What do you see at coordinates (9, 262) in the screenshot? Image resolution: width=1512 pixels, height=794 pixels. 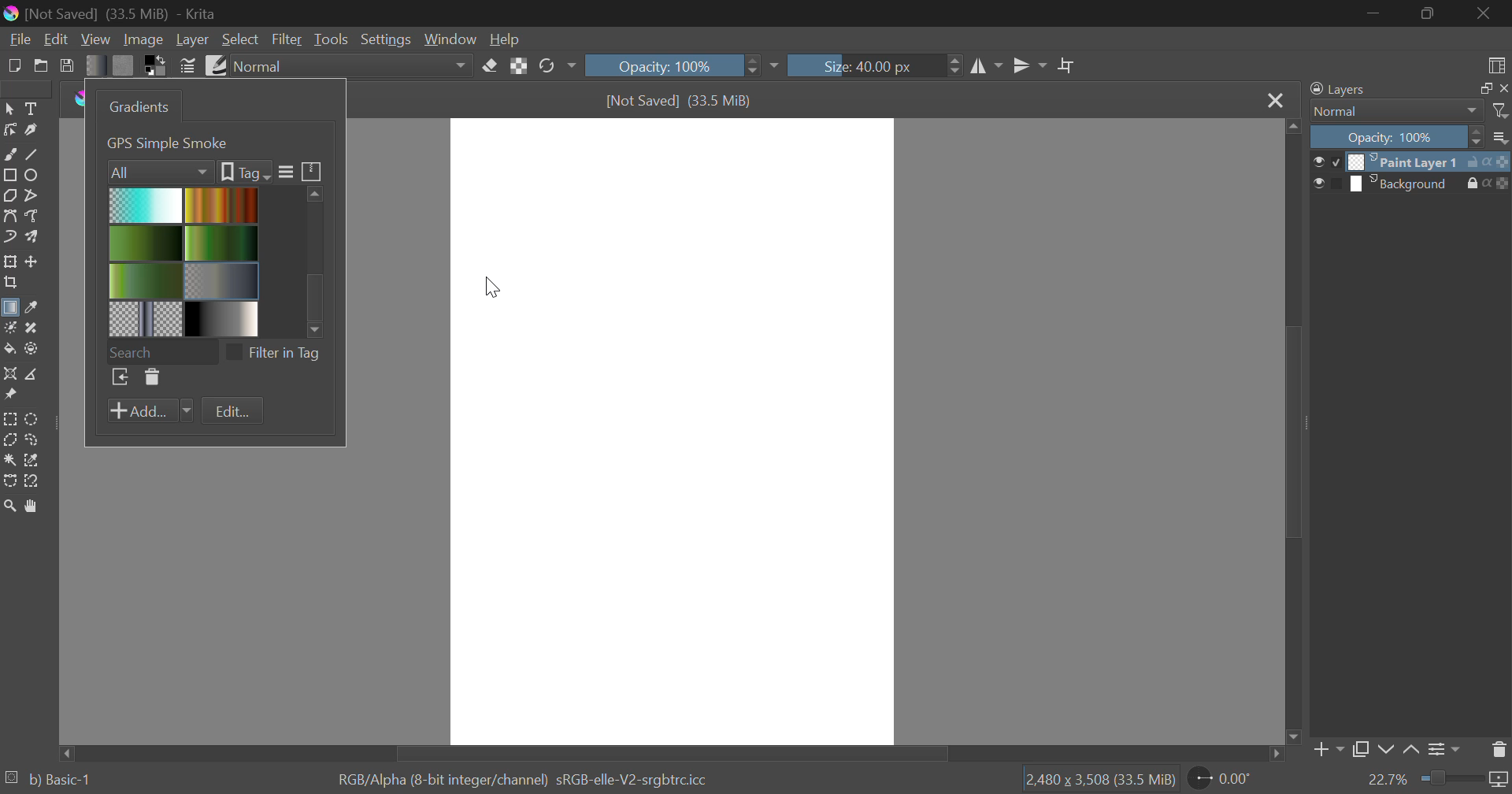 I see `Transform Layer` at bounding box center [9, 262].